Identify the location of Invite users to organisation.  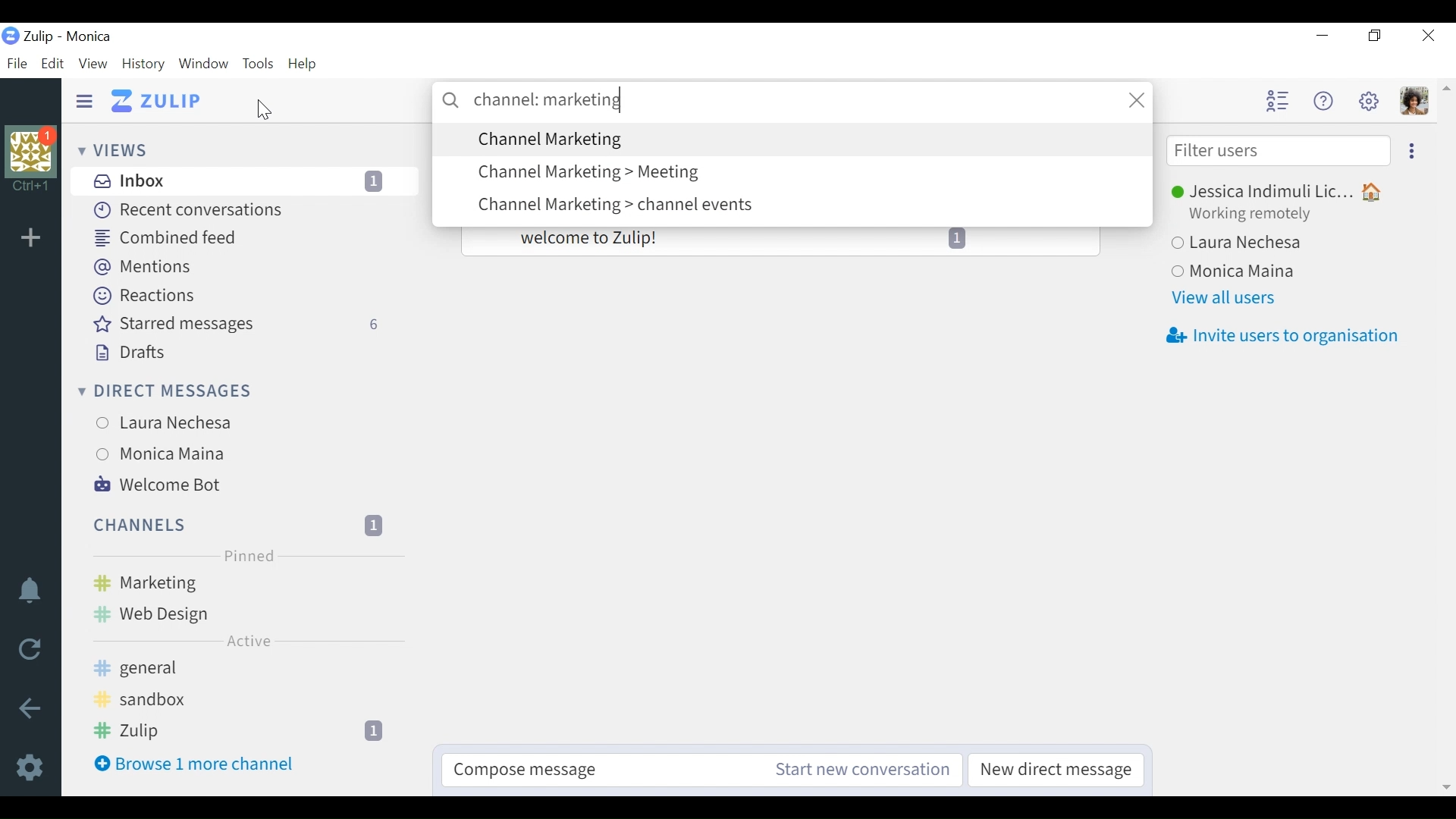
(1281, 337).